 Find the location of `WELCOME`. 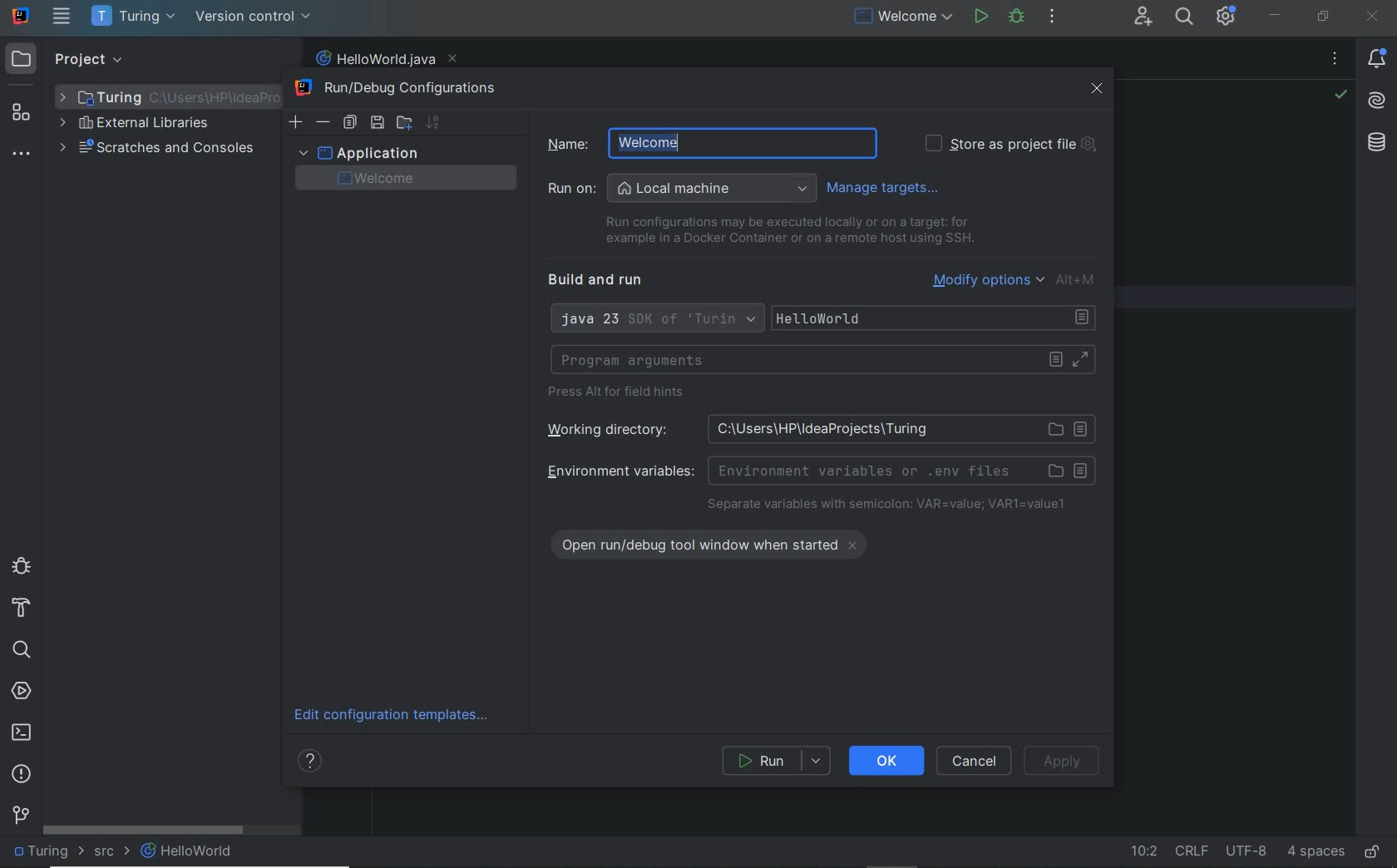

WELCOME is located at coordinates (402, 178).